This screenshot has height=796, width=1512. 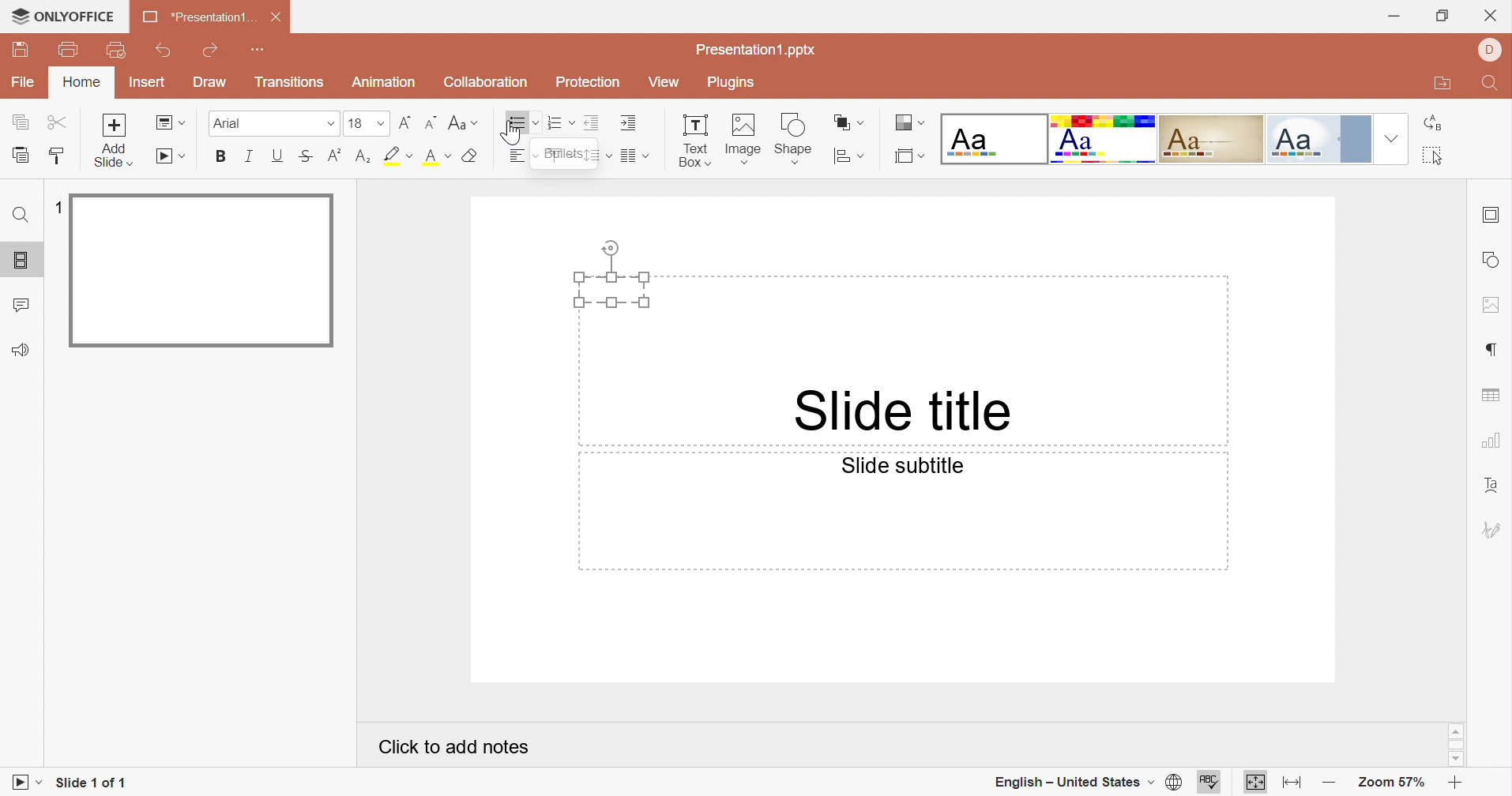 I want to click on Text Art settings, so click(x=1495, y=485).